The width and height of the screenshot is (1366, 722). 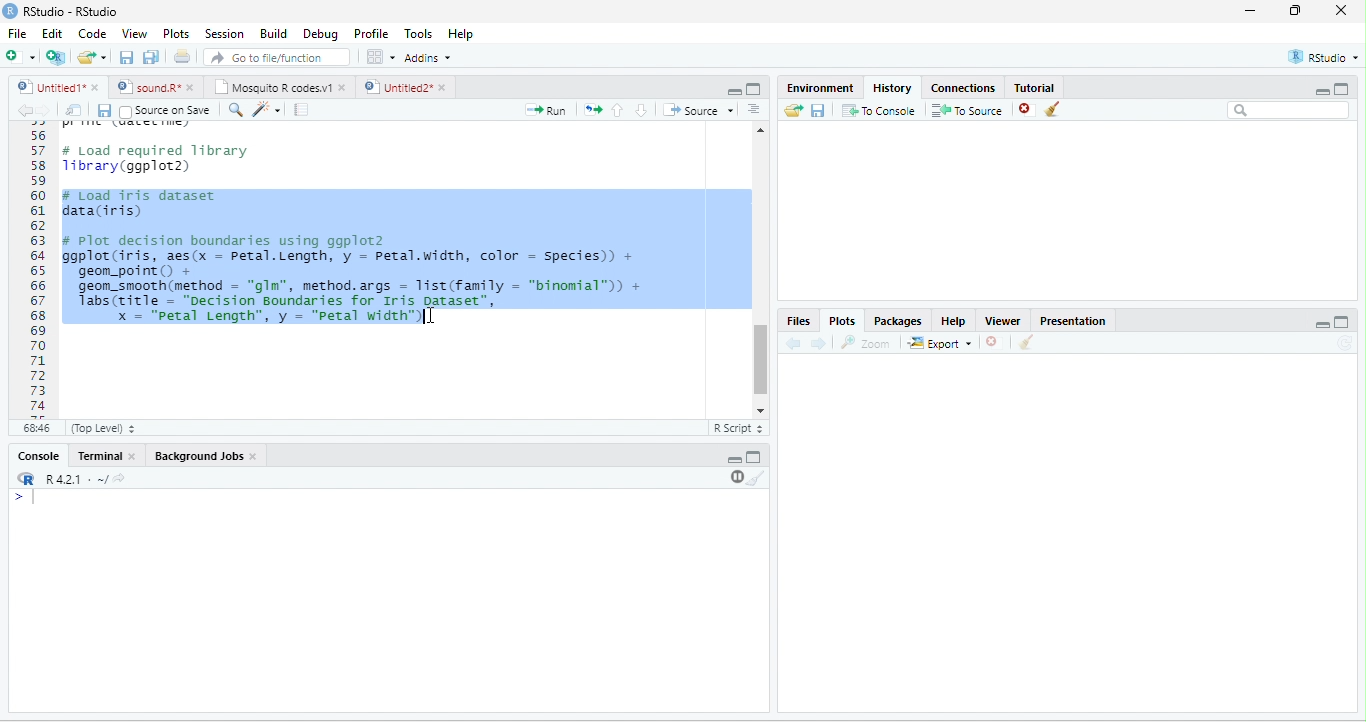 What do you see at coordinates (71, 480) in the screenshot?
I see `R.4.2.1 .~/` at bounding box center [71, 480].